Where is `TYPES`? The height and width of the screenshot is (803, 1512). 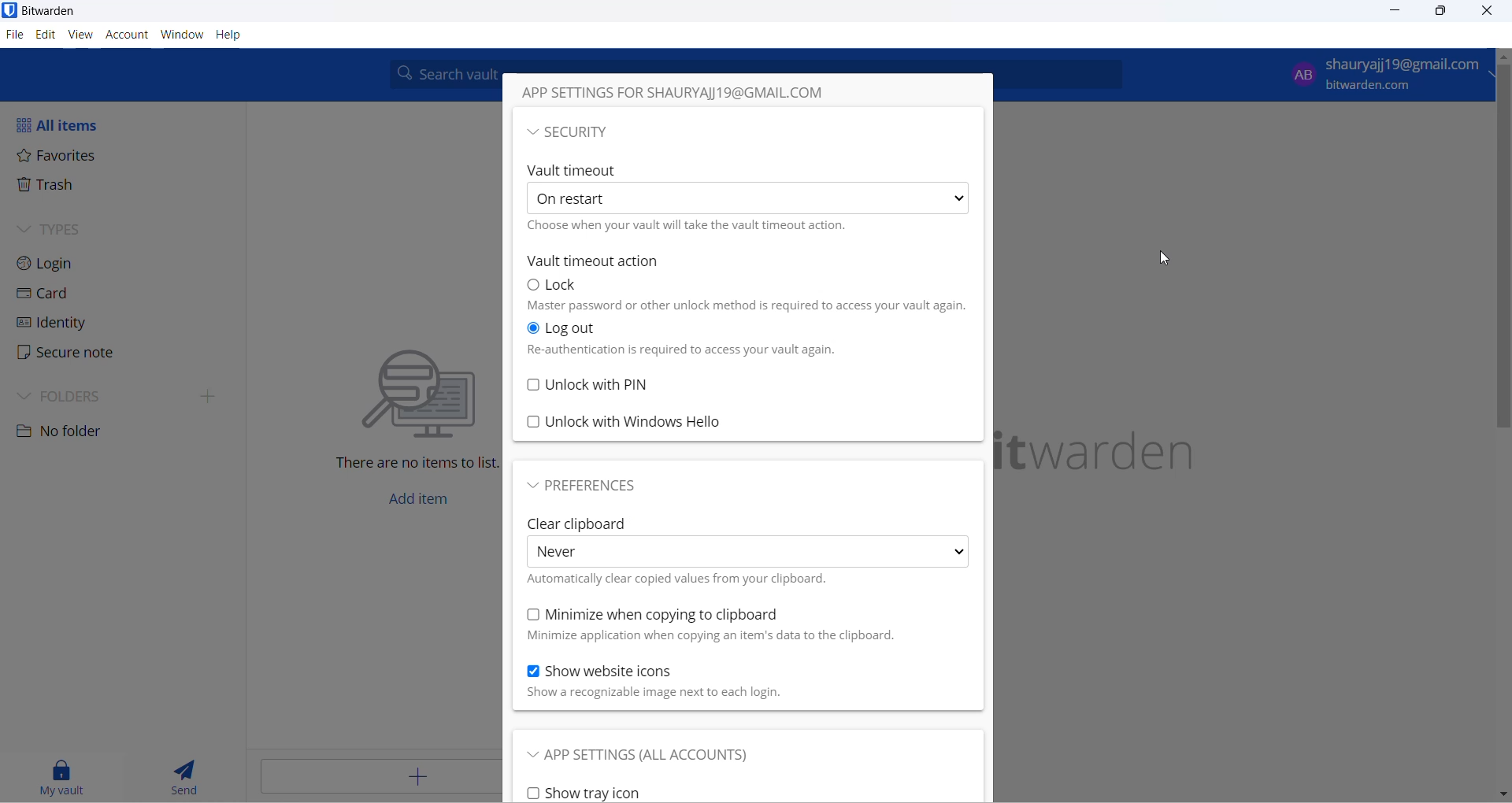 TYPES is located at coordinates (61, 229).